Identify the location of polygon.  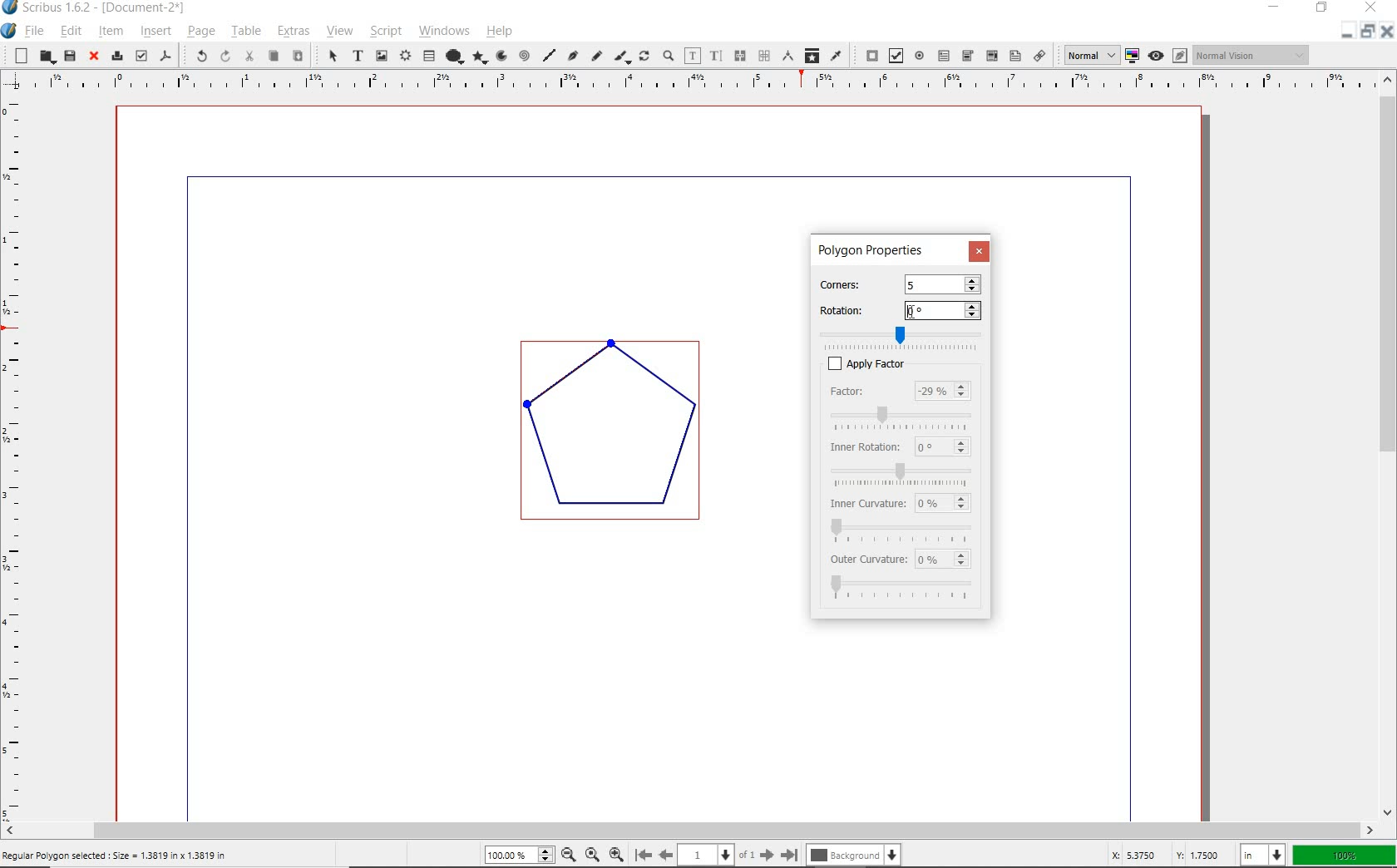
(481, 57).